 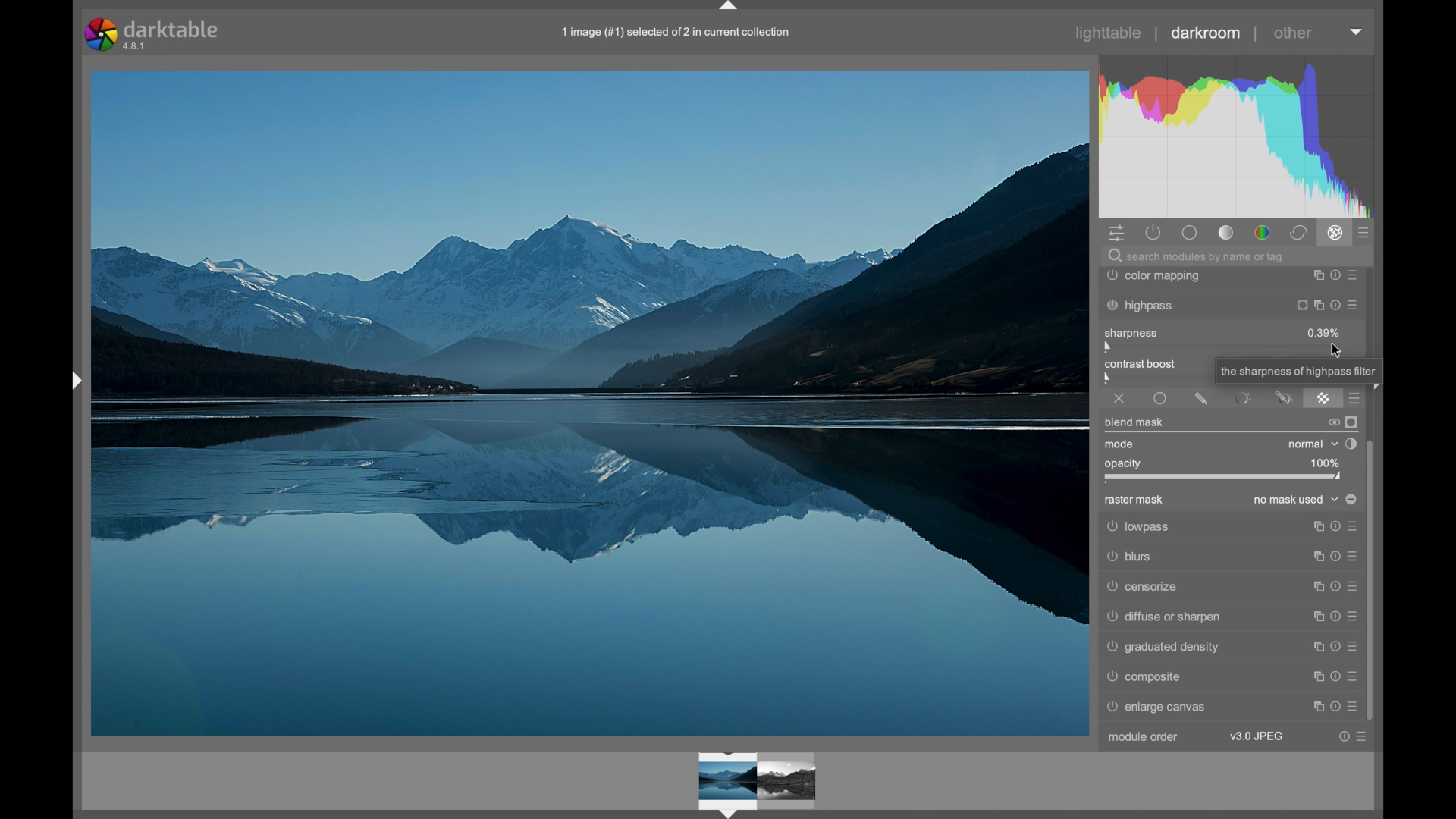 I want to click on drag handle, so click(x=729, y=8).